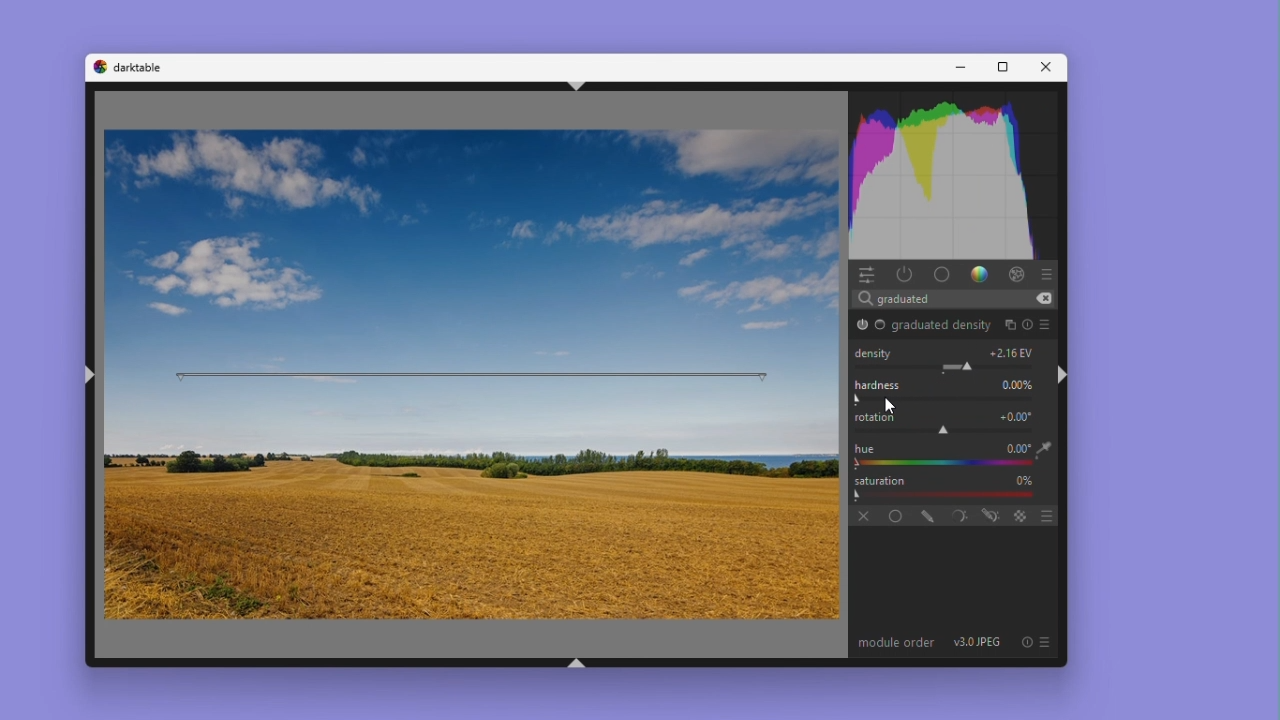 The width and height of the screenshot is (1280, 720). What do you see at coordinates (959, 67) in the screenshot?
I see `Minimise` at bounding box center [959, 67].